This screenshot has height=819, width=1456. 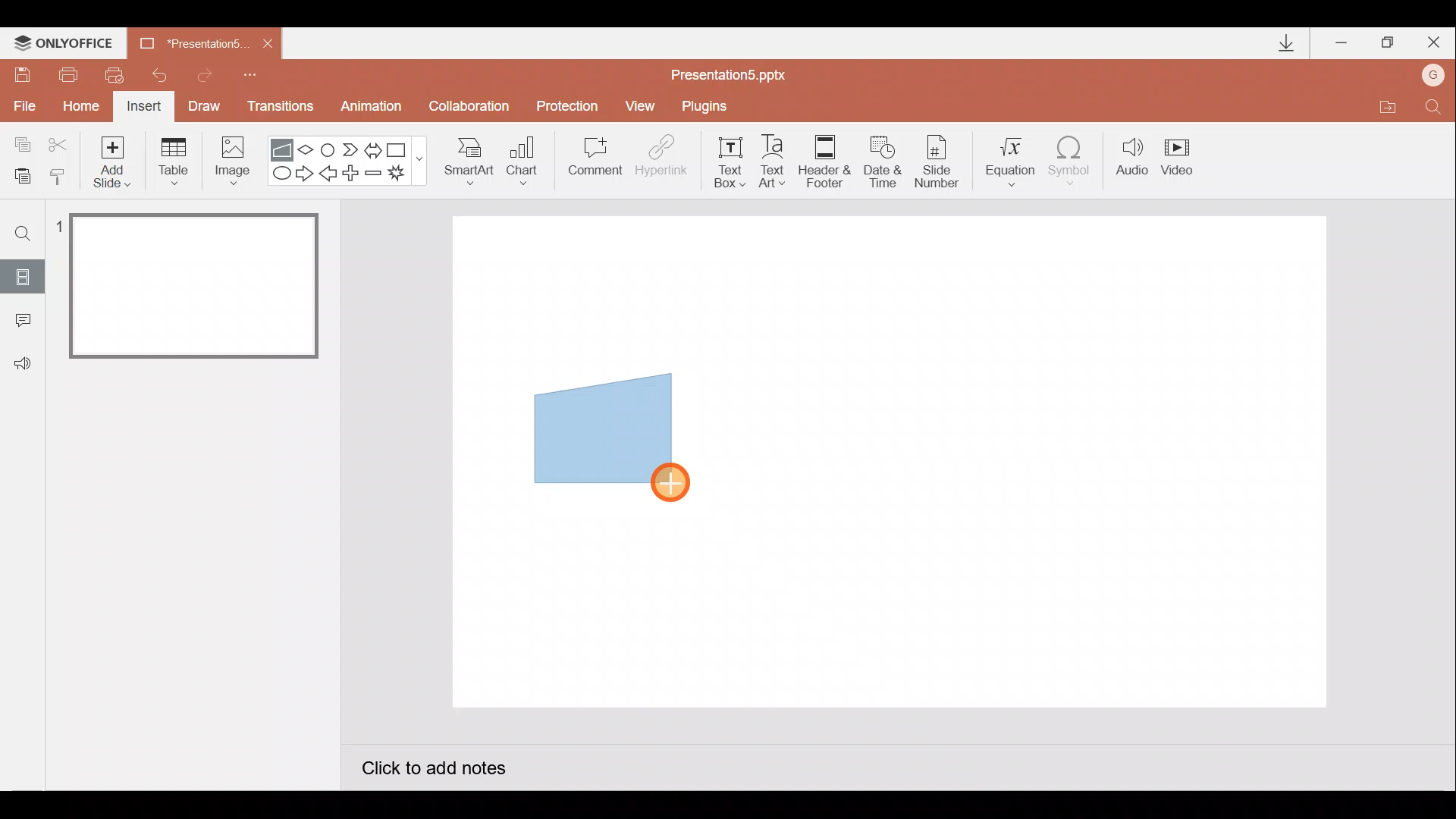 What do you see at coordinates (432, 770) in the screenshot?
I see `Click to add notes` at bounding box center [432, 770].